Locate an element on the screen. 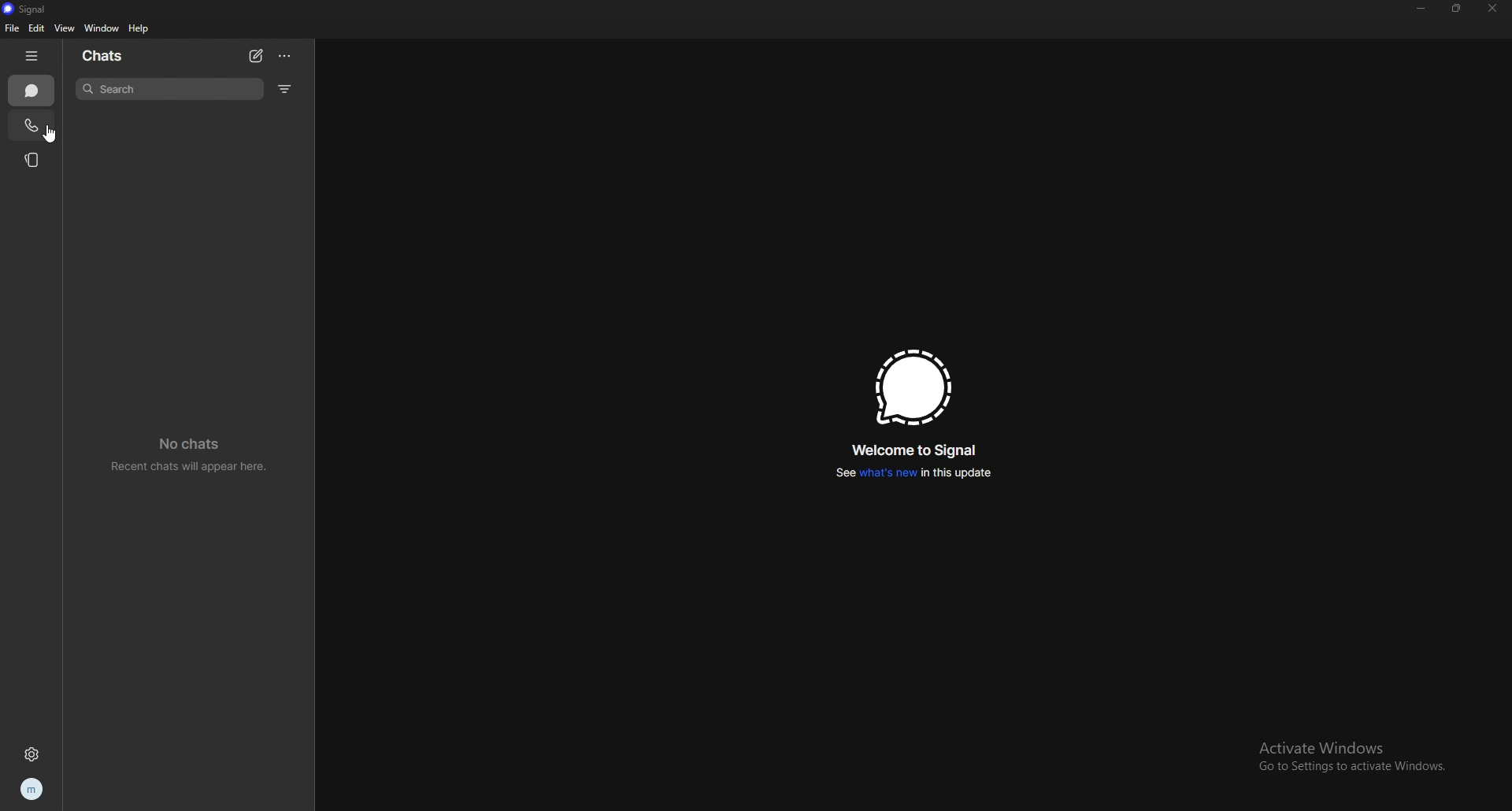 The height and width of the screenshot is (811, 1512). close is located at coordinates (1492, 9).